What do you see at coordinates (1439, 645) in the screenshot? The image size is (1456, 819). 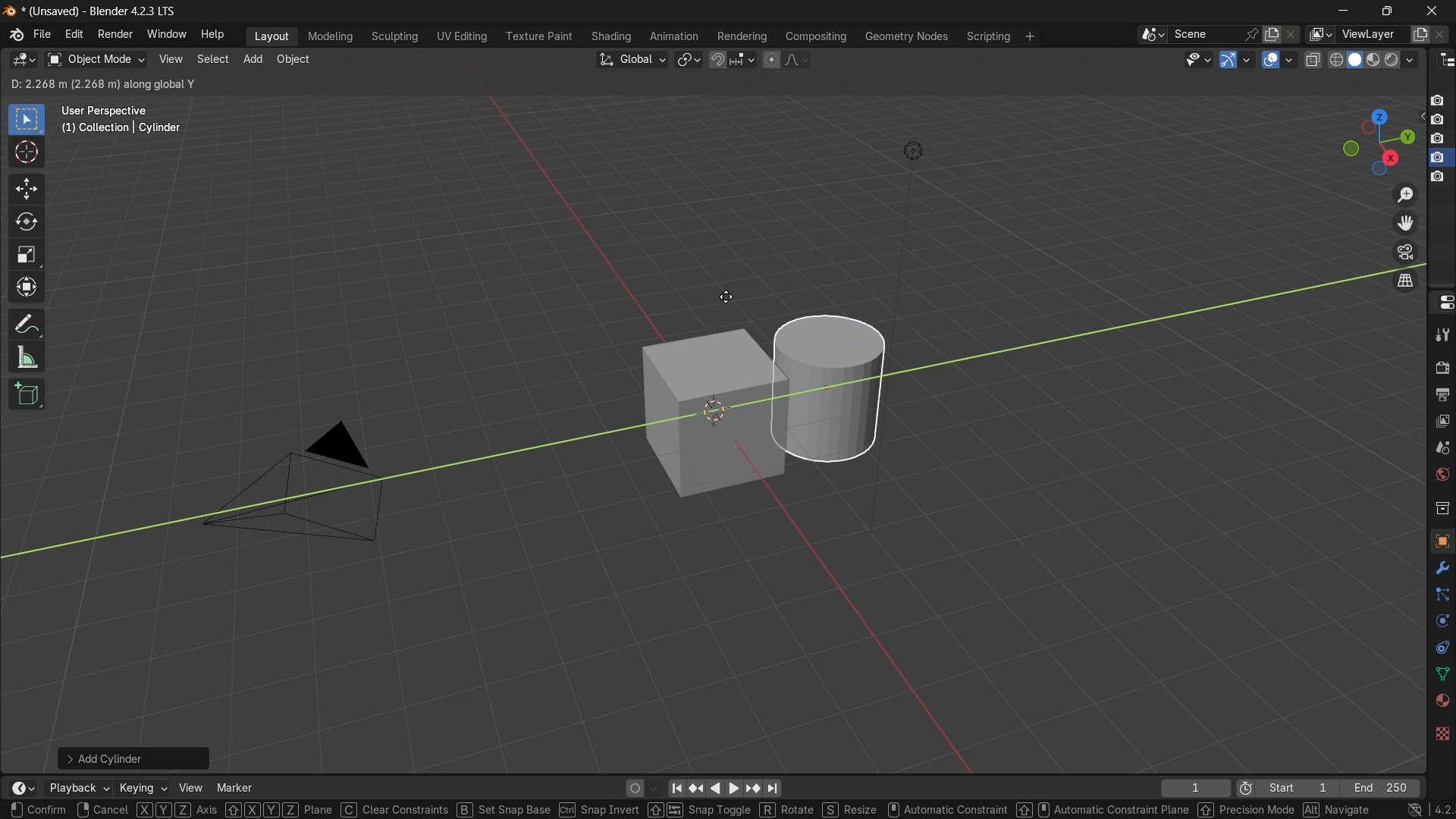 I see `free tool` at bounding box center [1439, 645].